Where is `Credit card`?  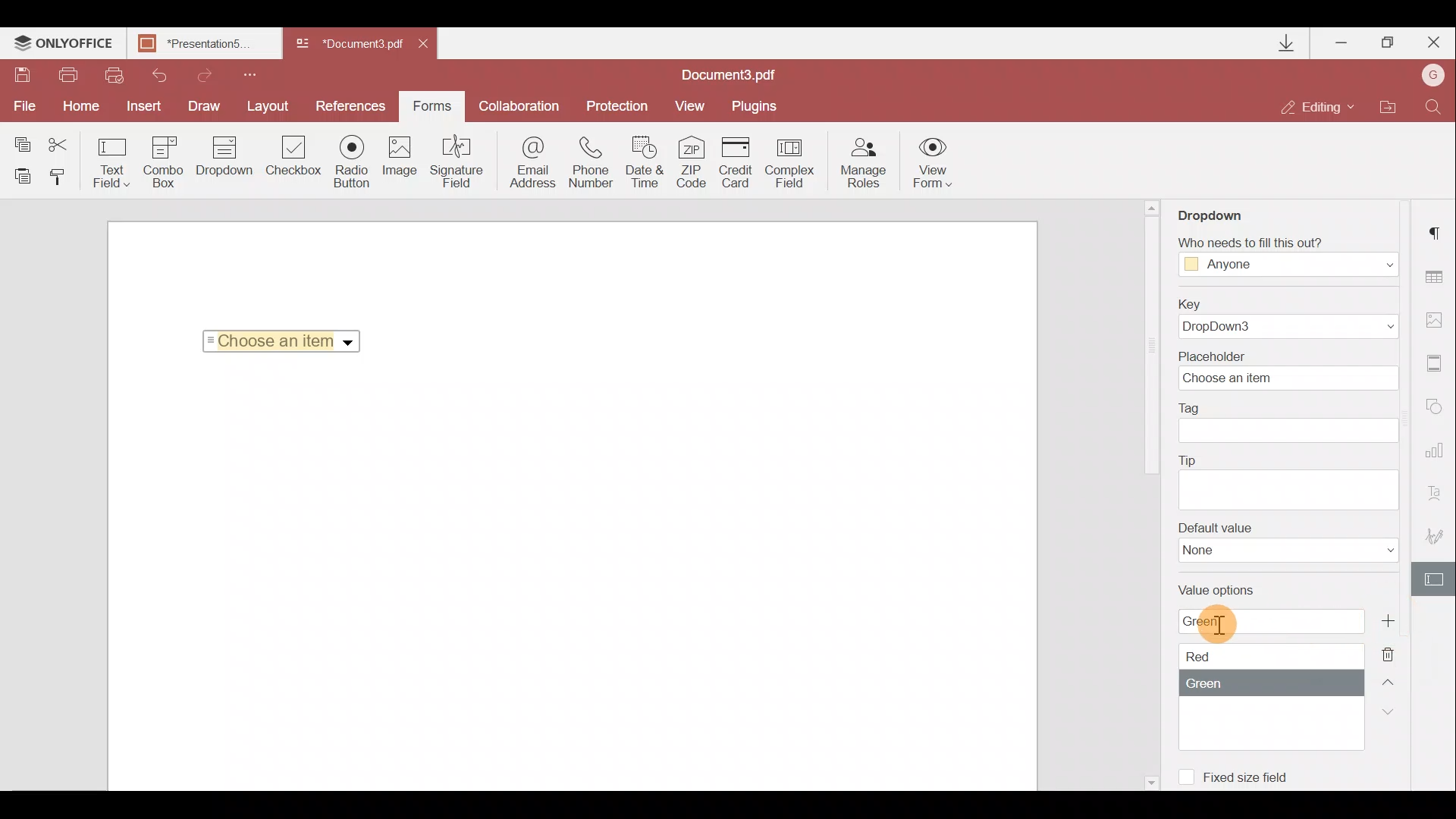
Credit card is located at coordinates (738, 161).